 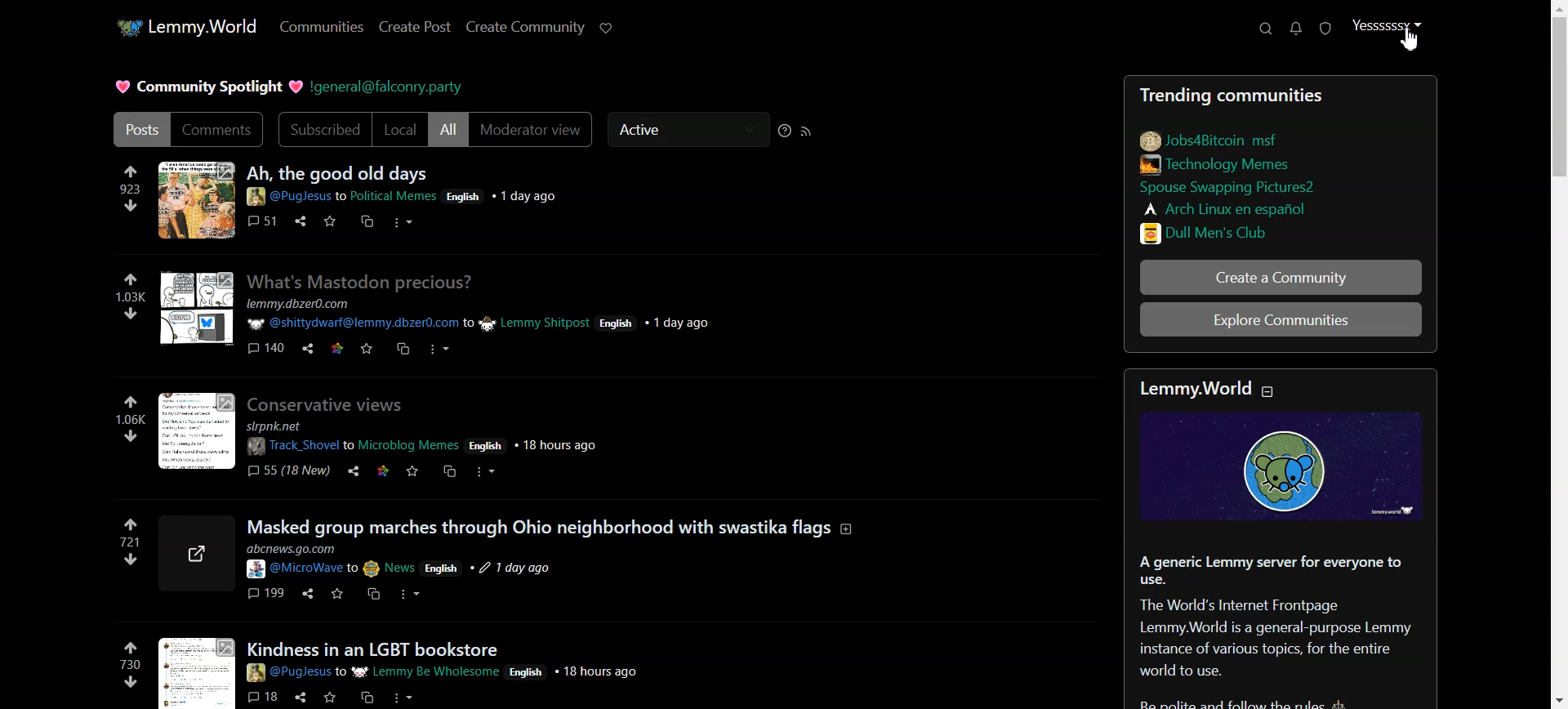 I want to click on share, so click(x=350, y=471).